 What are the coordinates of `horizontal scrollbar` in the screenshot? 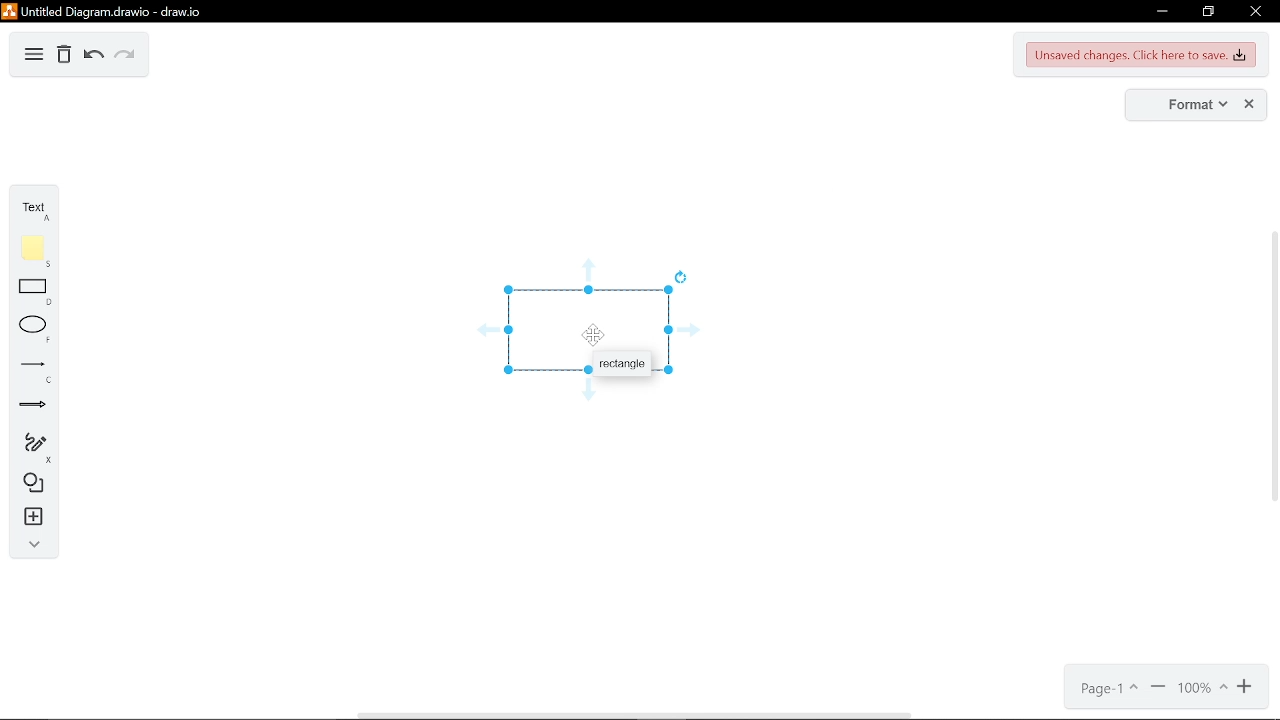 It's located at (633, 714).